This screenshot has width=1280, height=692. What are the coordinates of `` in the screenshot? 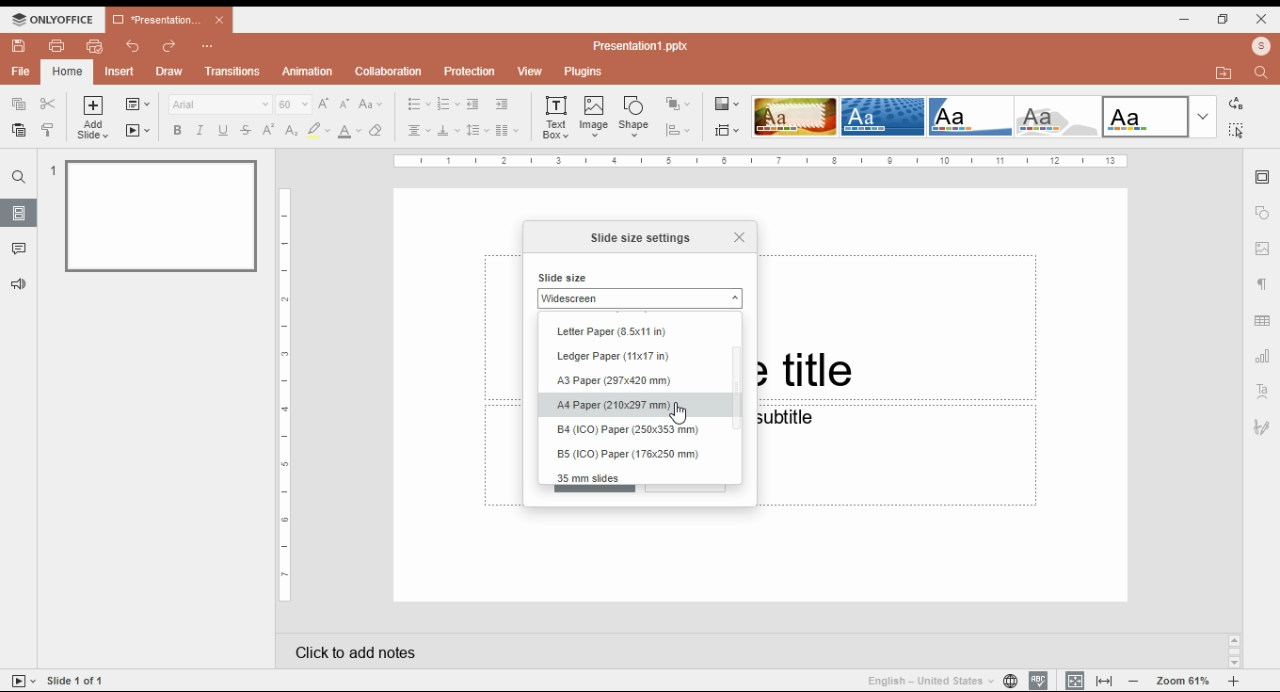 It's located at (1265, 428).